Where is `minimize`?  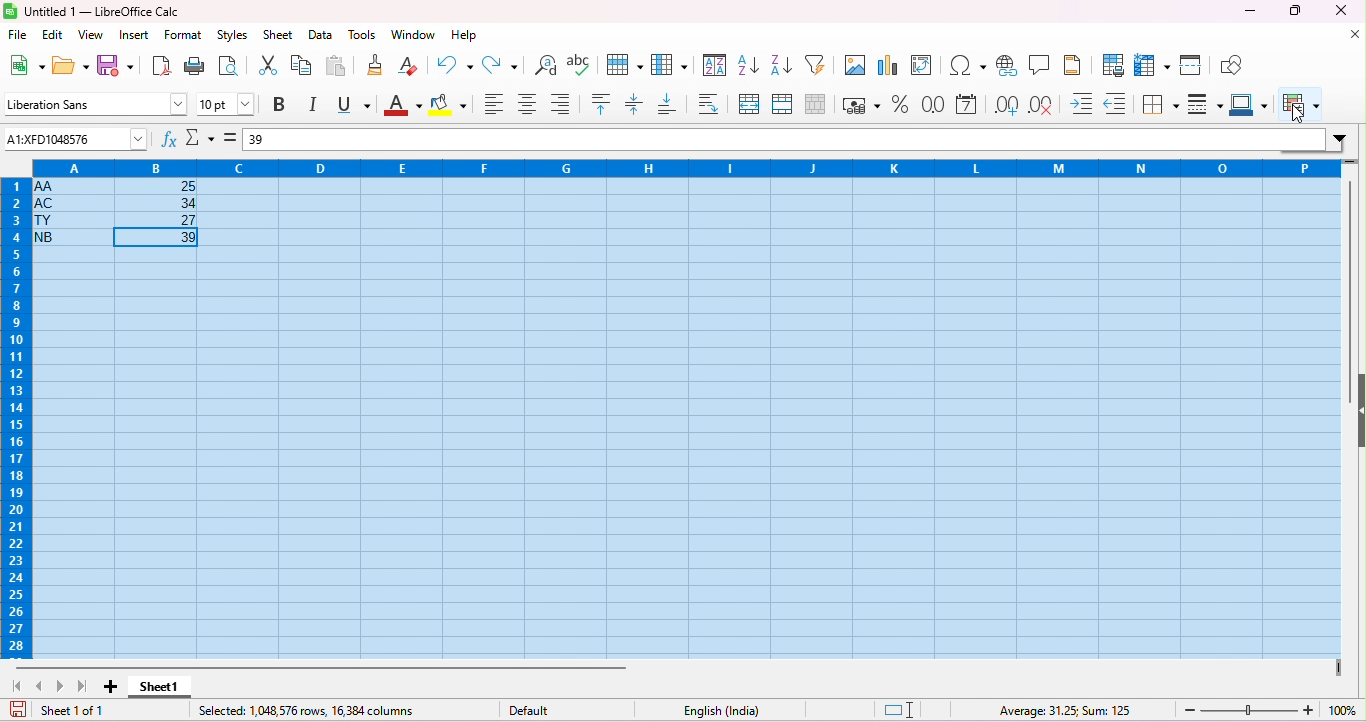 minimize is located at coordinates (1249, 12).